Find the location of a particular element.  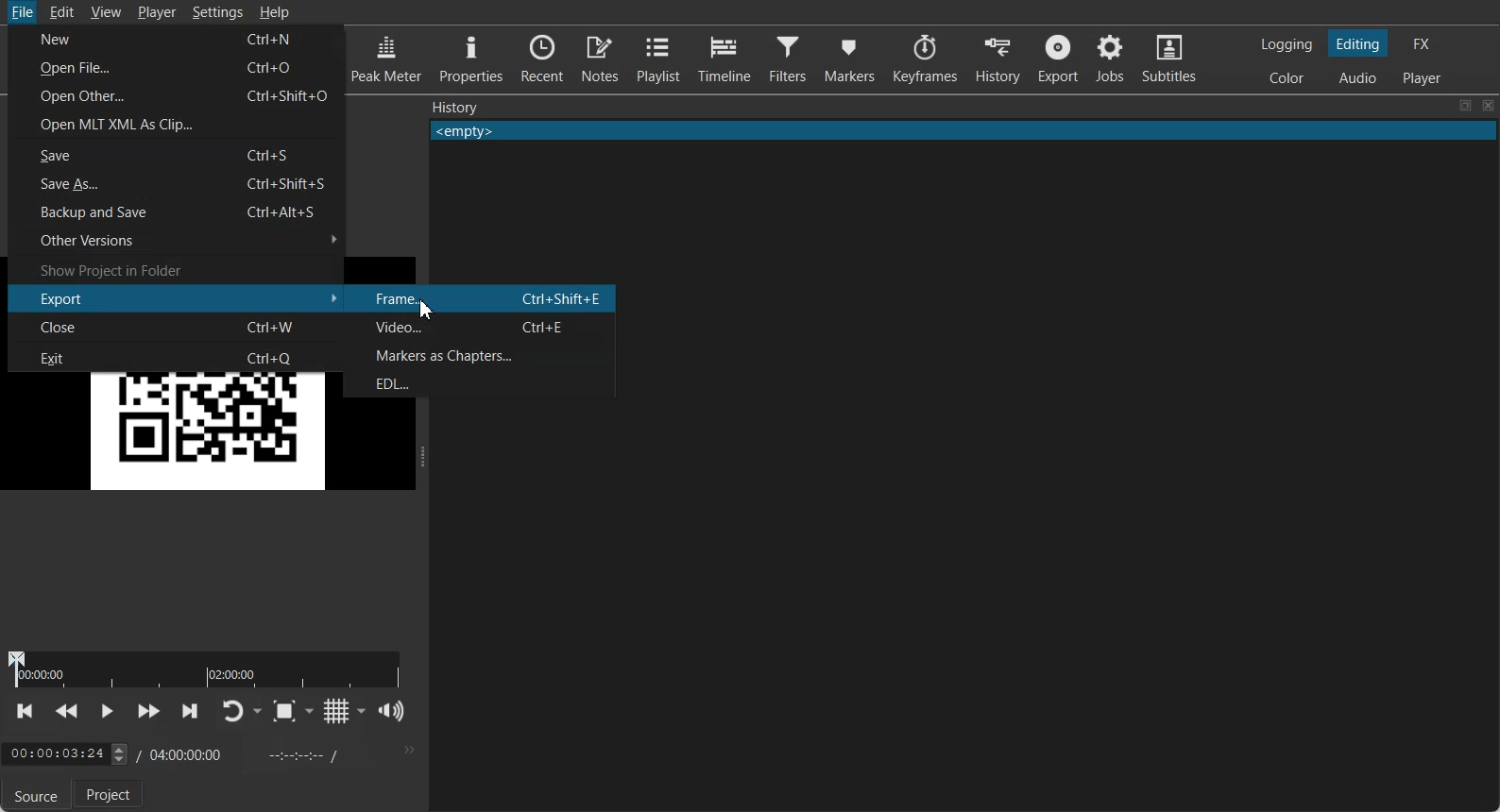

View is located at coordinates (107, 12).